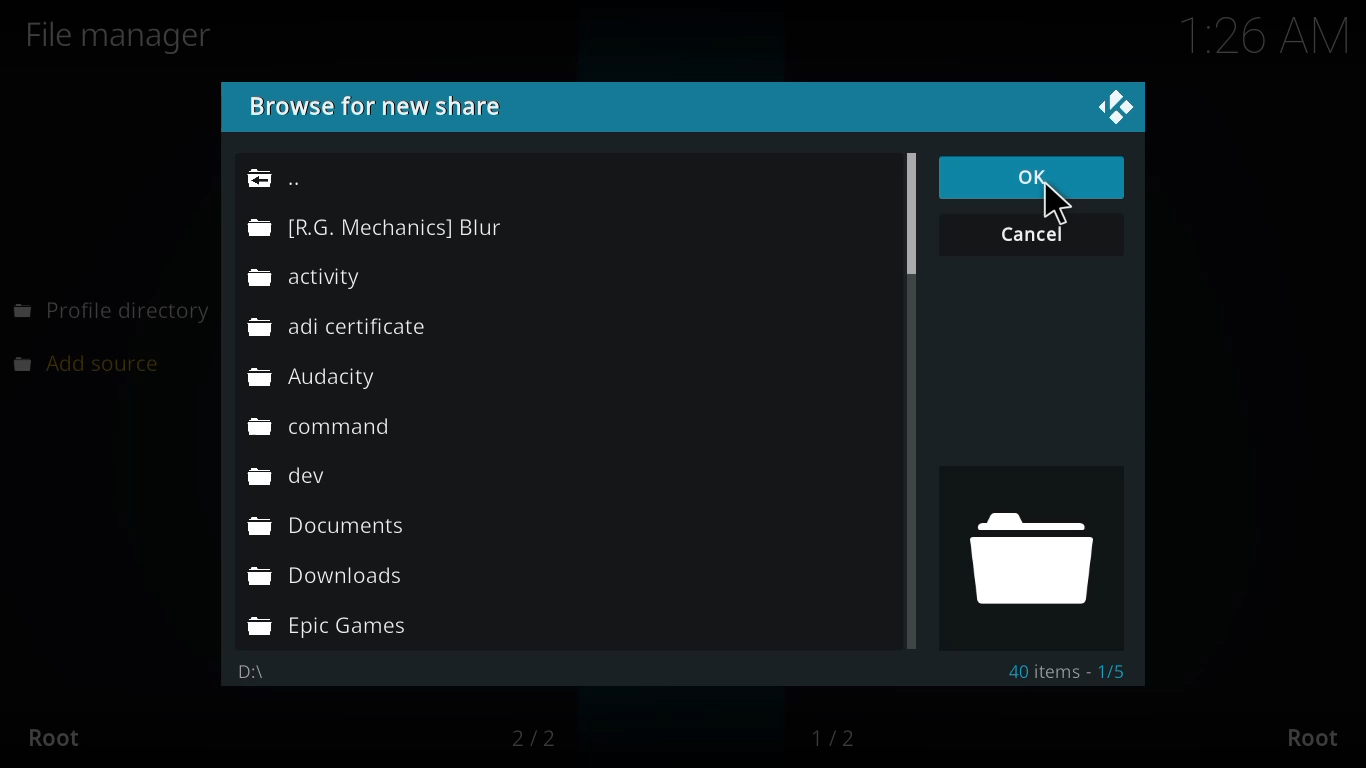  I want to click on cursor, so click(1062, 206).